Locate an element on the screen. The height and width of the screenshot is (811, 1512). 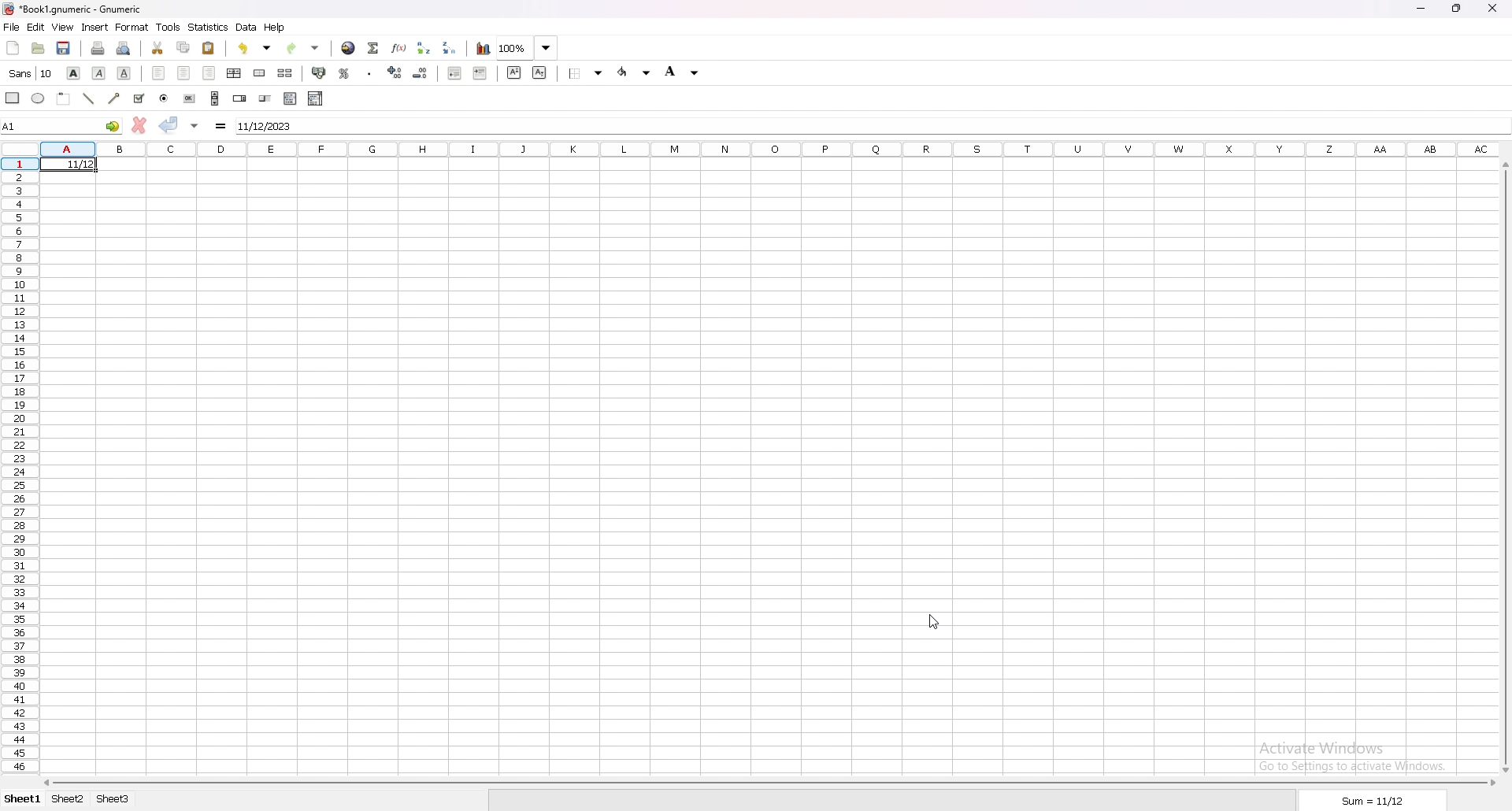
slider is located at coordinates (264, 99).